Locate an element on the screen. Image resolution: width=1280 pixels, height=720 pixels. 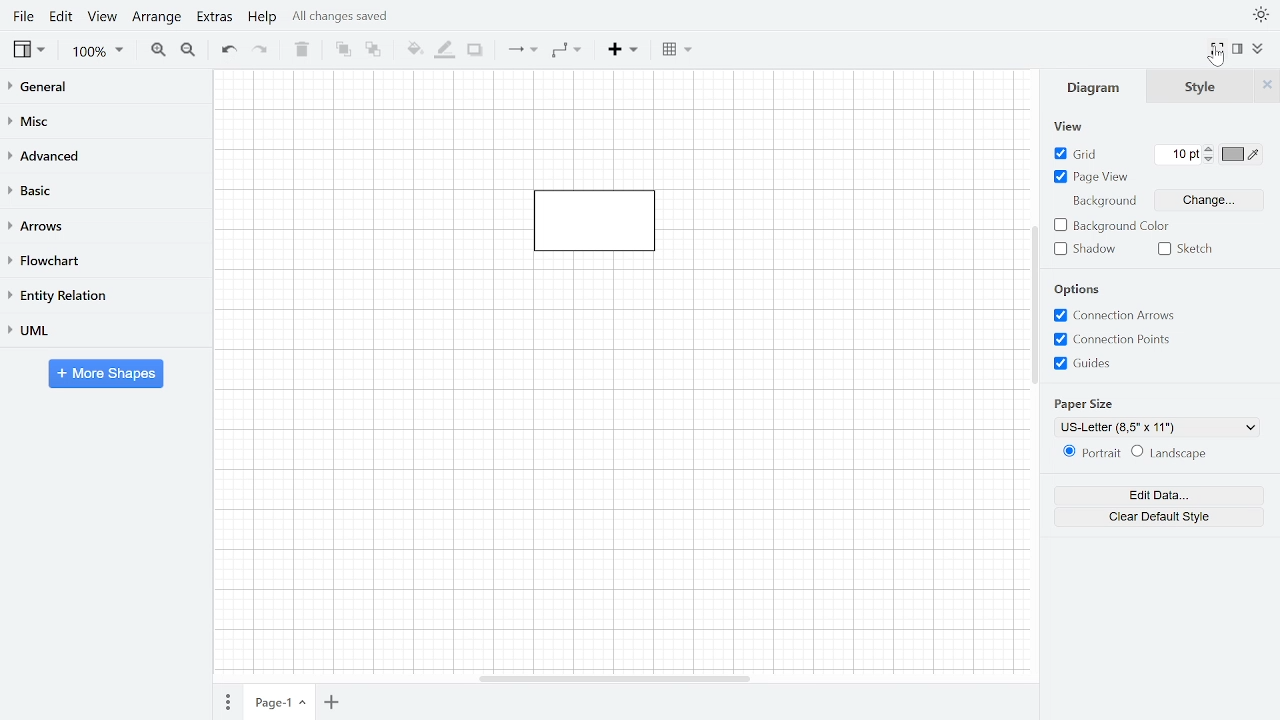
Style is located at coordinates (1202, 86).